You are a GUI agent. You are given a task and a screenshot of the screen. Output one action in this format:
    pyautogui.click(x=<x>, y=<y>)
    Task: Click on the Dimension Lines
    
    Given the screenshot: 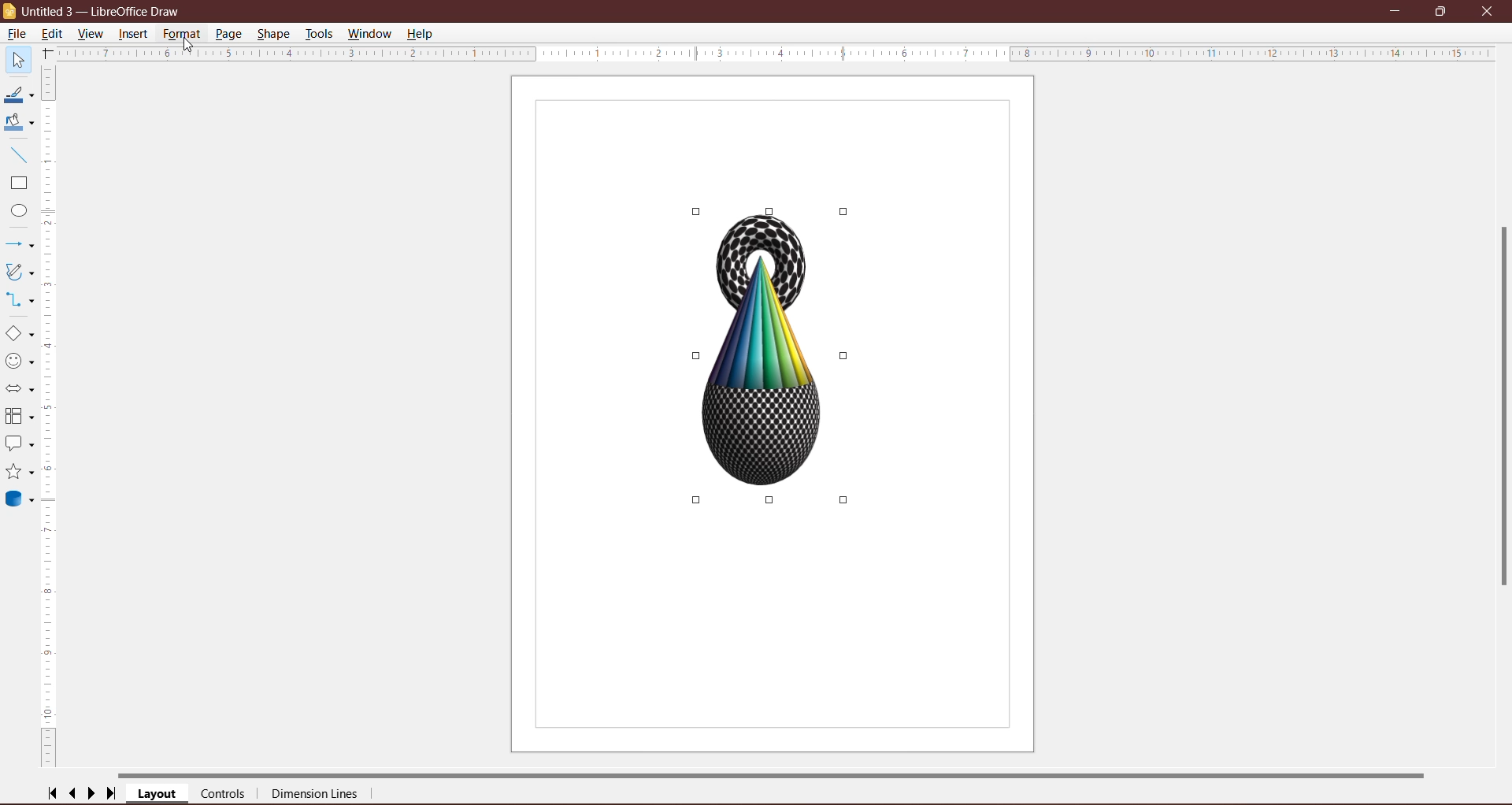 What is the action you would take?
    pyautogui.click(x=316, y=795)
    